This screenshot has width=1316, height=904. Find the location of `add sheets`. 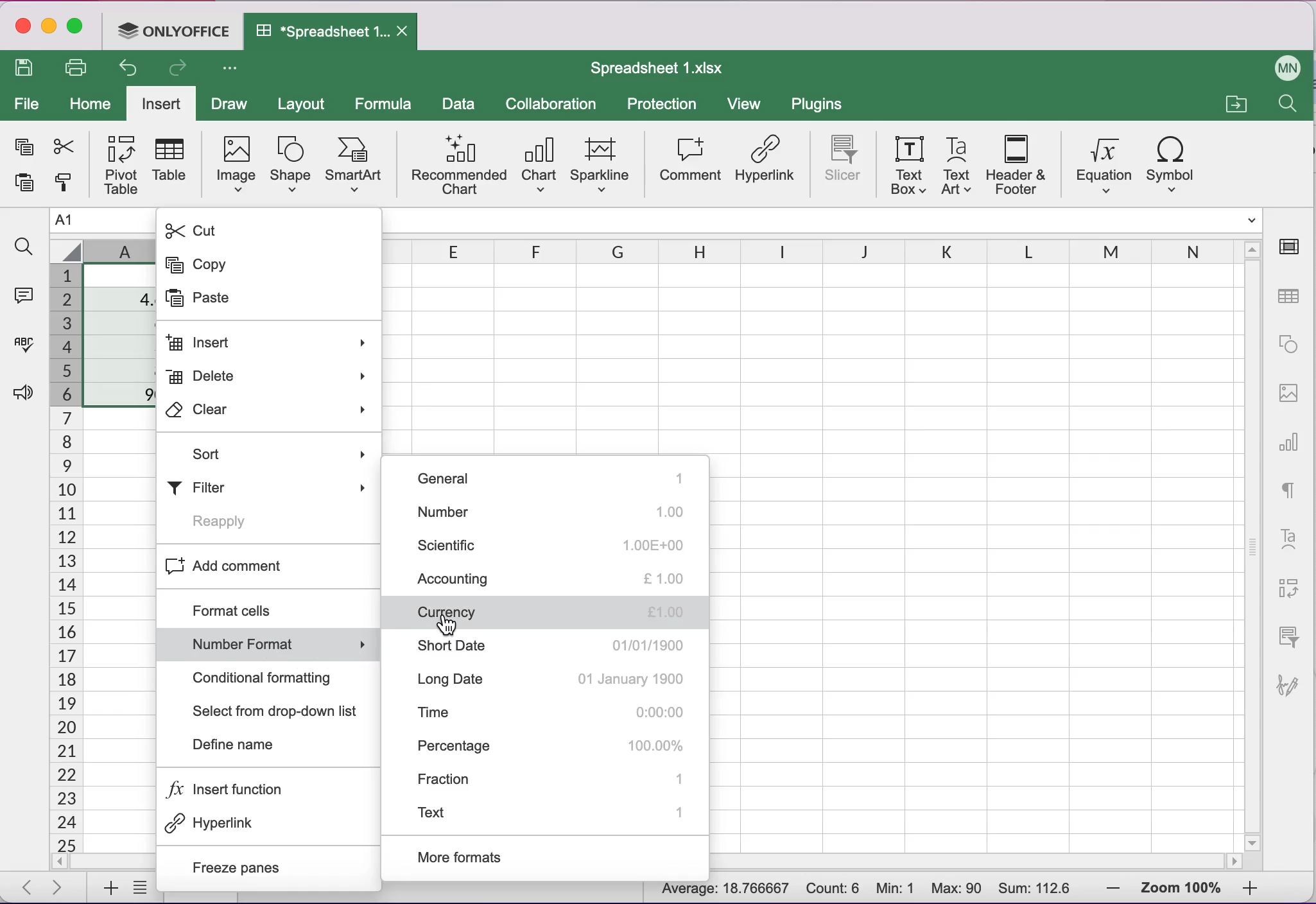

add sheets is located at coordinates (105, 887).